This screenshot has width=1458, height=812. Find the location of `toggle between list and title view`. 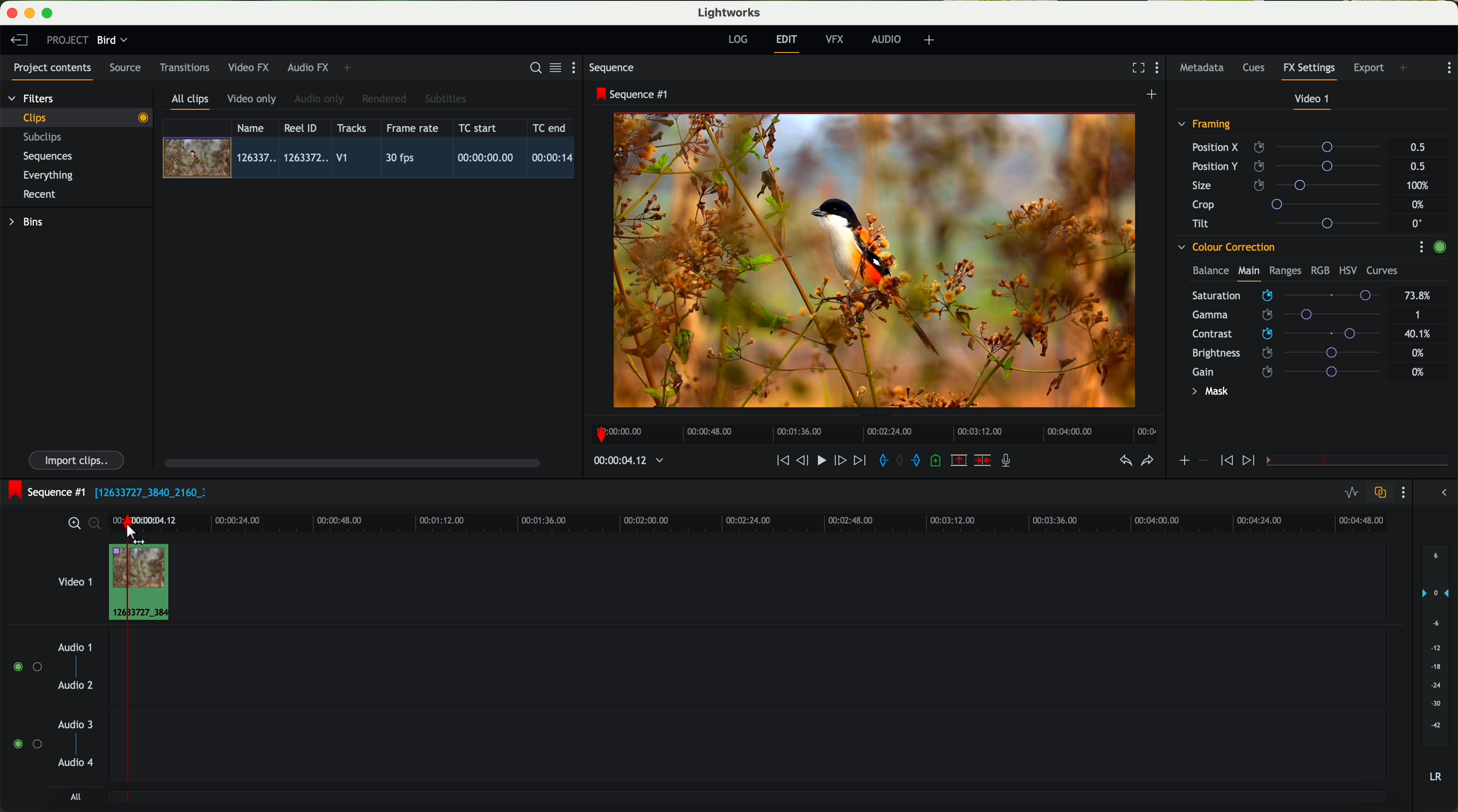

toggle between list and title view is located at coordinates (554, 67).